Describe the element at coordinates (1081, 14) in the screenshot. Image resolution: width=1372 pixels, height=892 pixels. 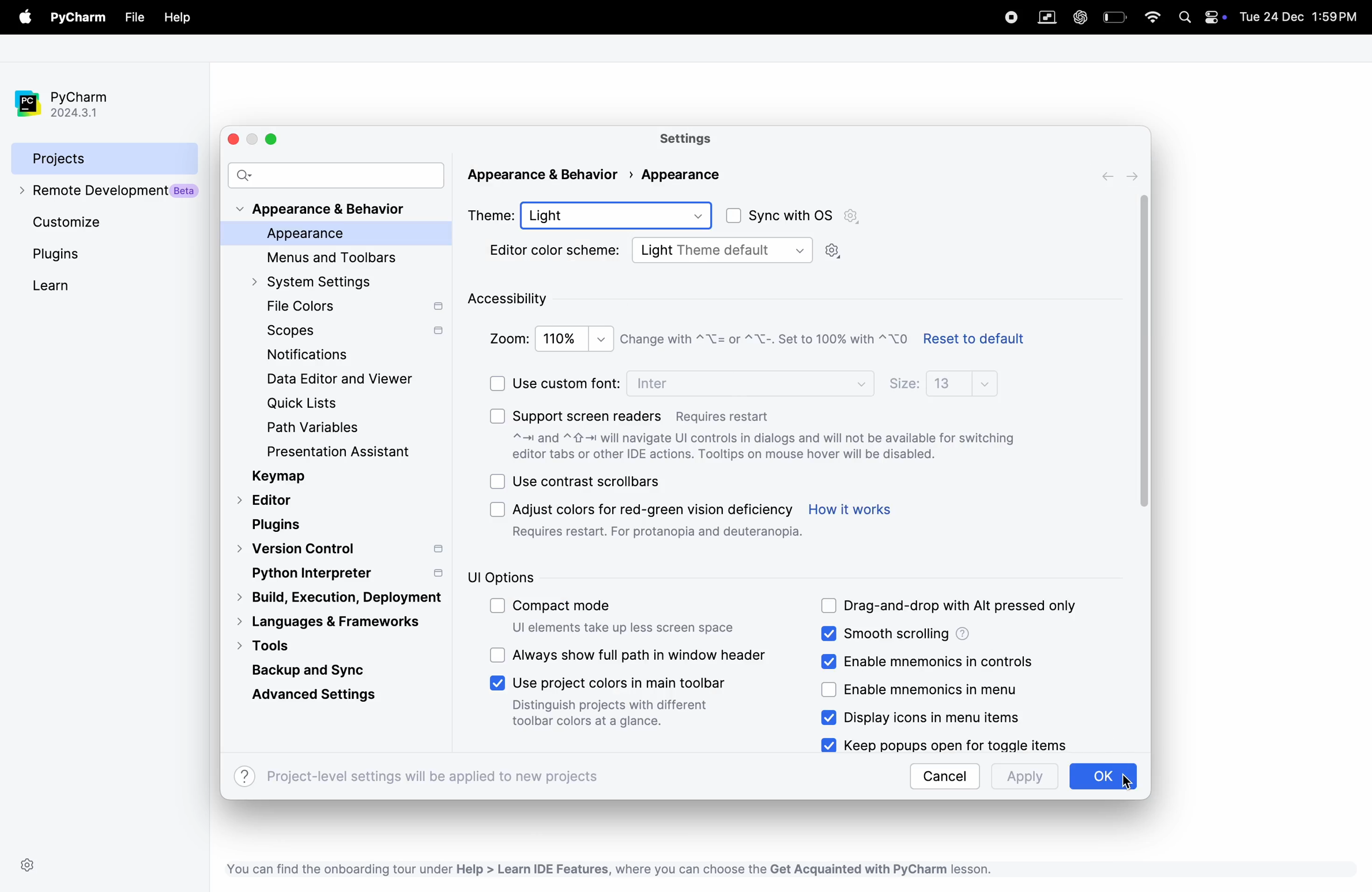
I see `chatgpt` at that location.